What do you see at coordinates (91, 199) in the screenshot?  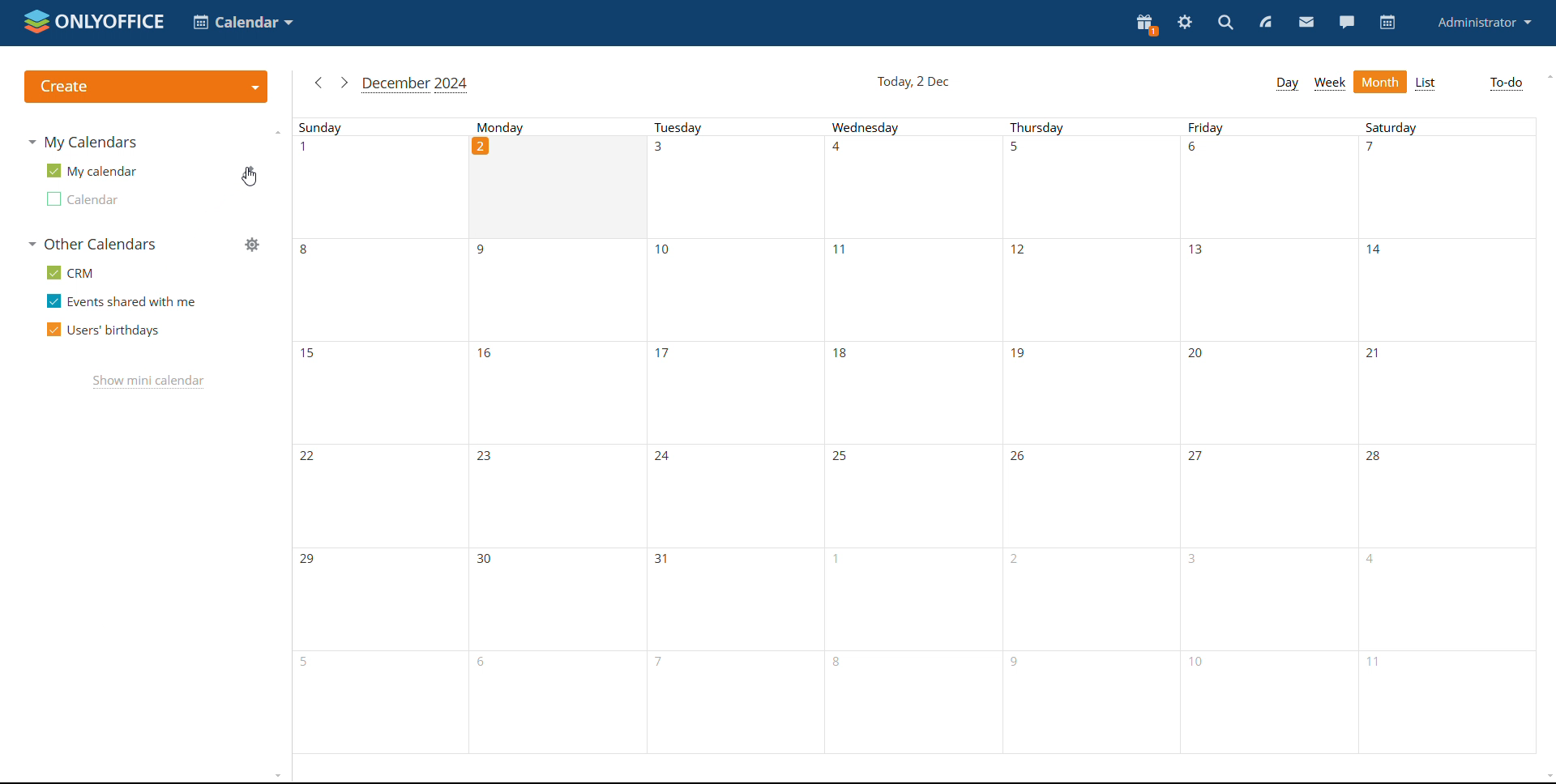 I see `other calendar` at bounding box center [91, 199].